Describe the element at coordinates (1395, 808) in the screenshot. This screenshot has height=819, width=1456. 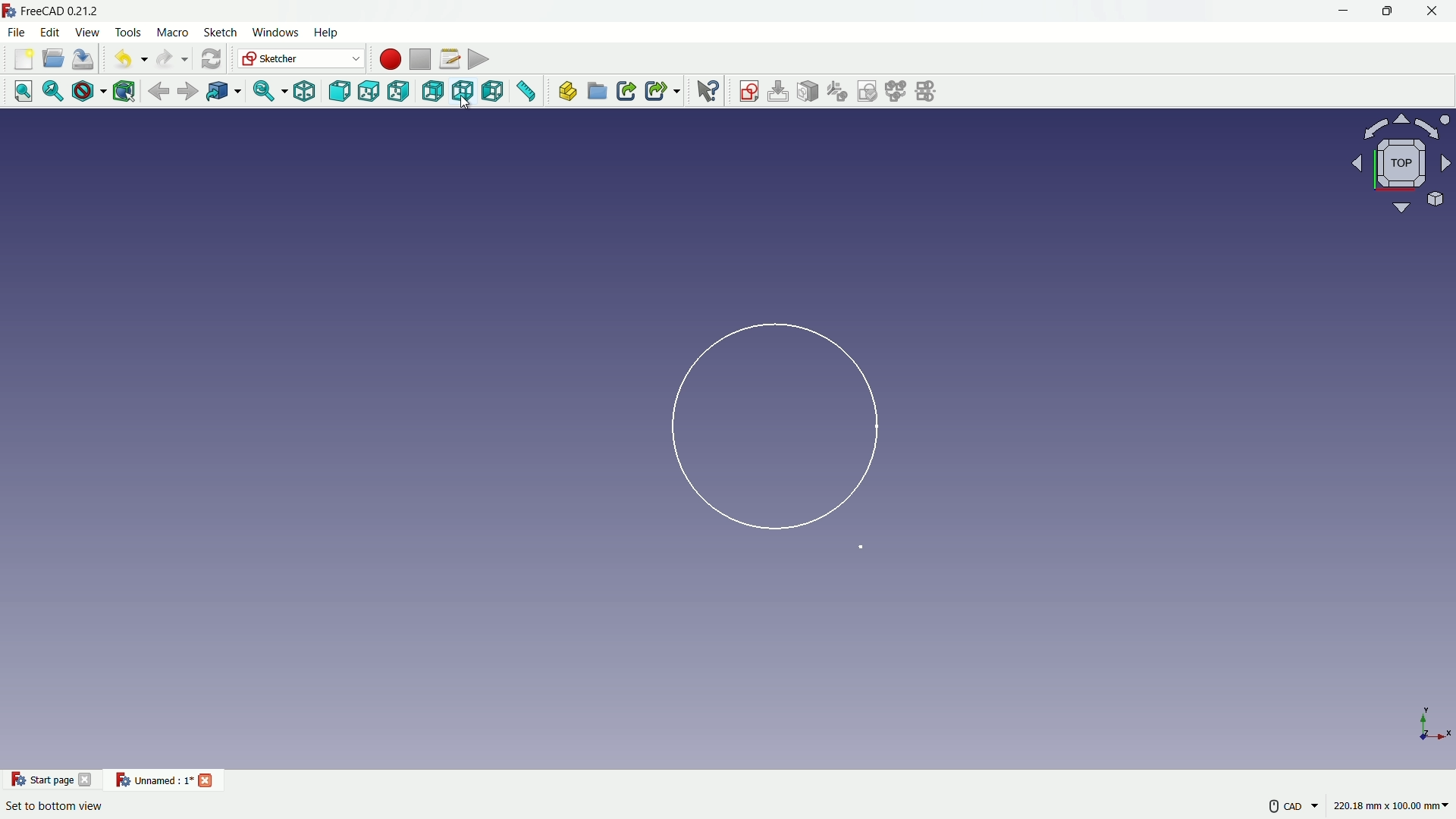
I see `units` at that location.